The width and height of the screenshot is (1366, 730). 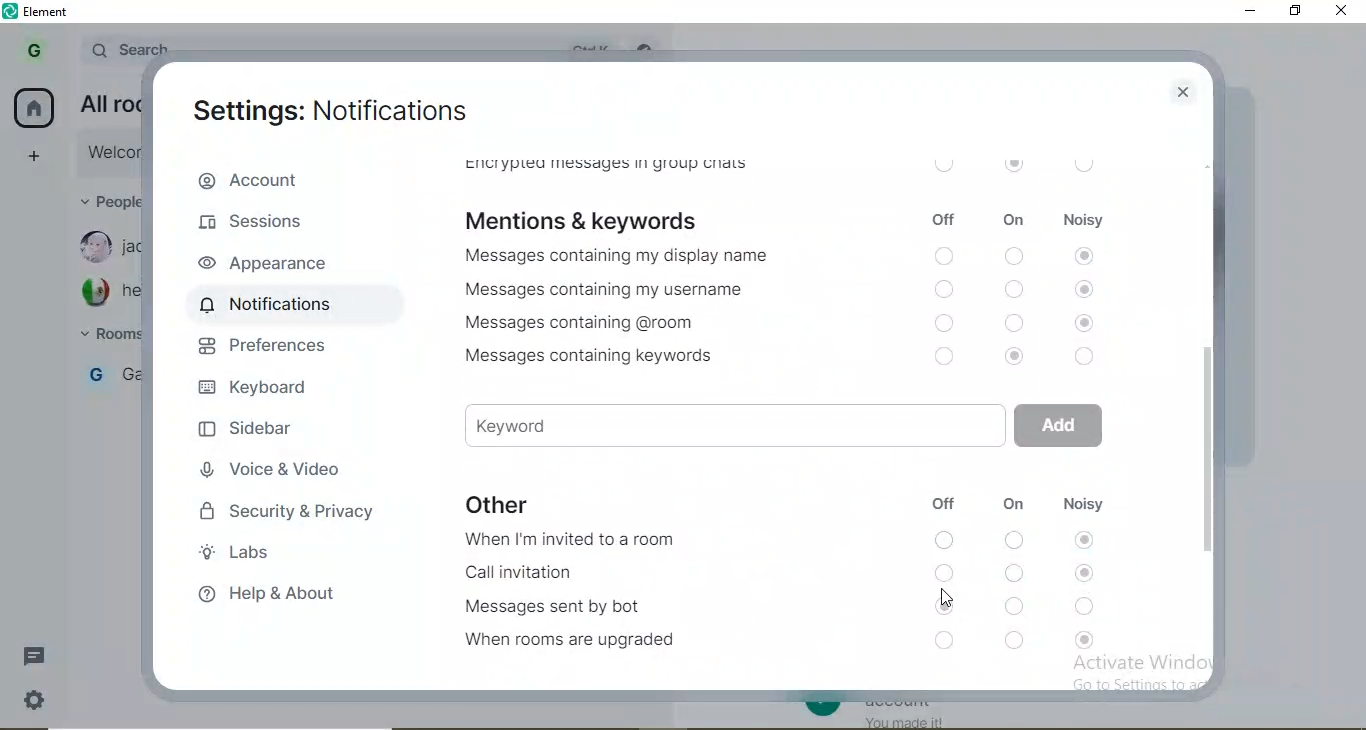 What do you see at coordinates (107, 154) in the screenshot?
I see `link new device` at bounding box center [107, 154].